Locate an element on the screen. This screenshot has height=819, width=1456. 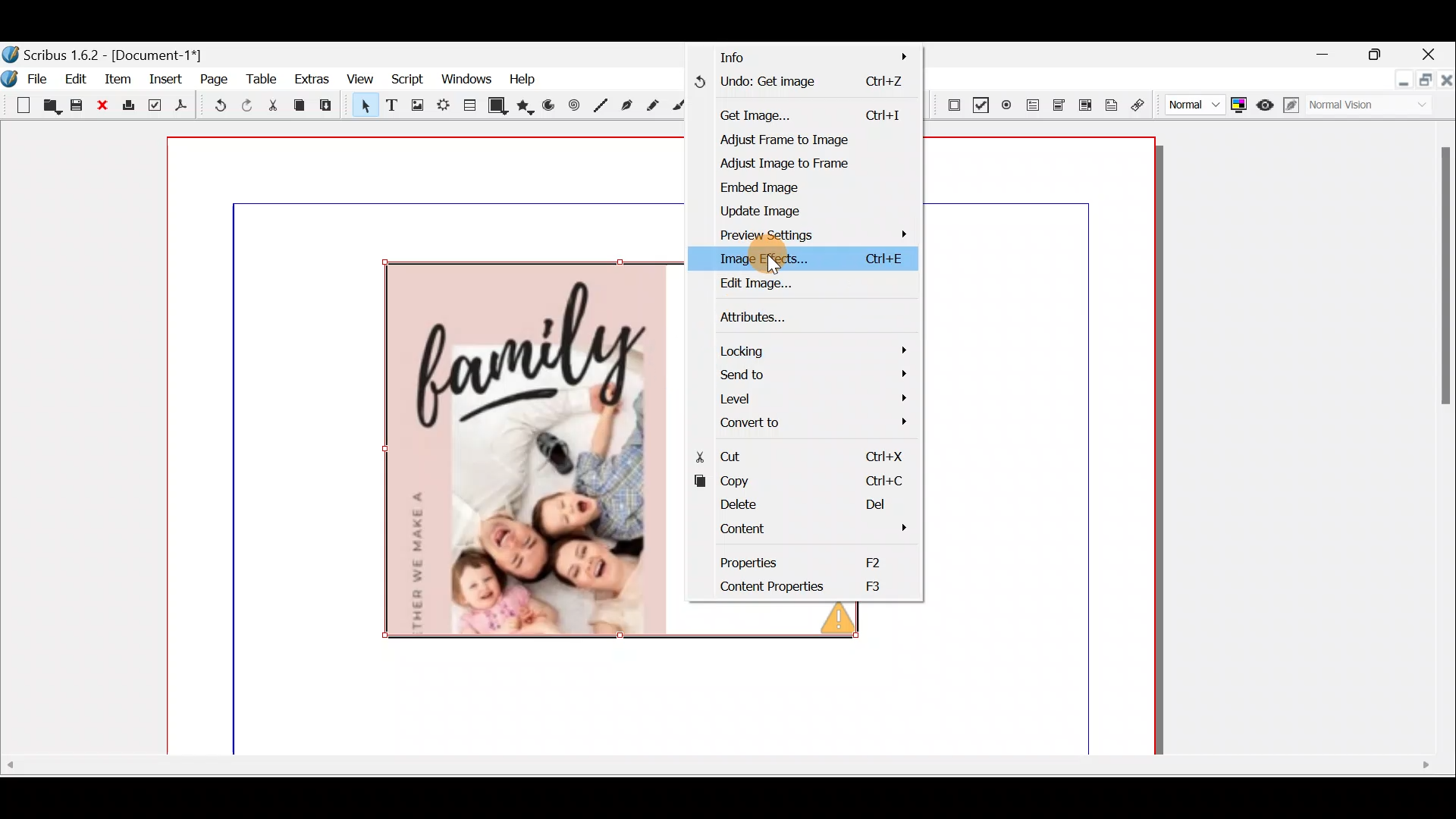
Select item is located at coordinates (362, 108).